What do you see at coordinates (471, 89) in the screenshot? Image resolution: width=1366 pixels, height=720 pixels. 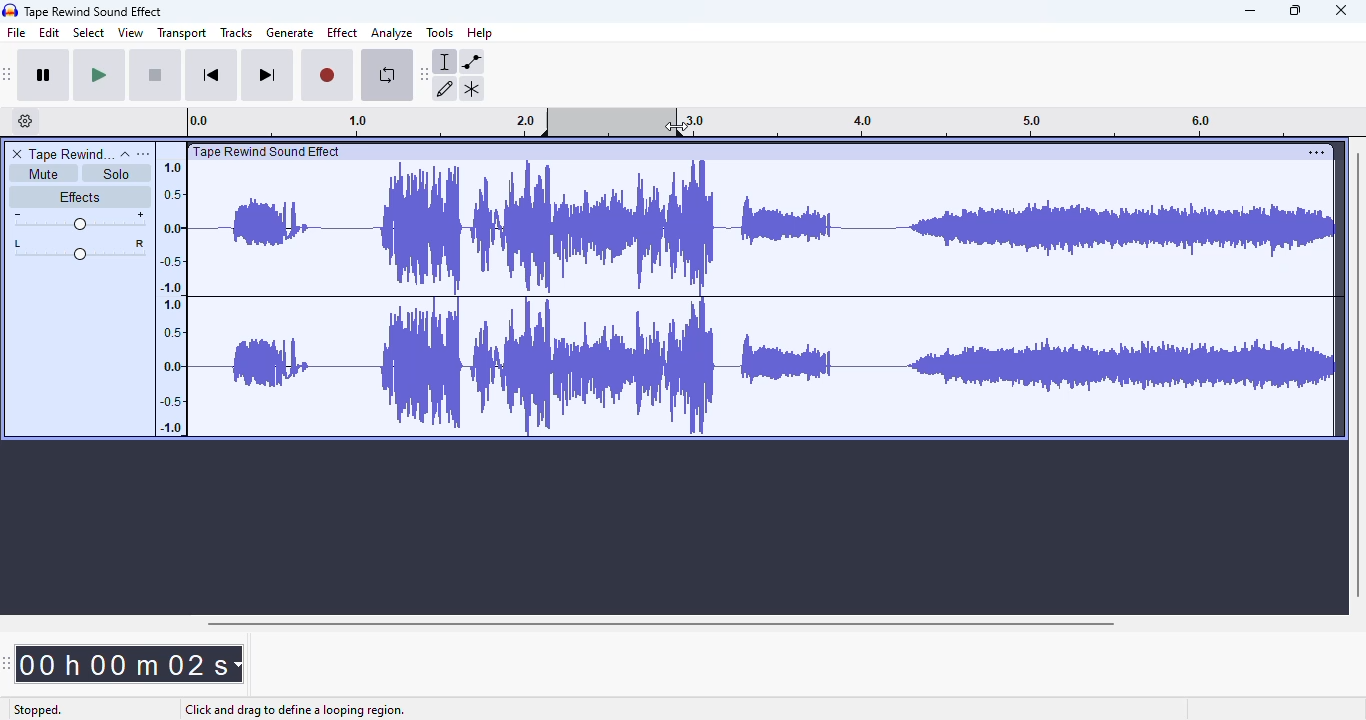 I see `multi-tool` at bounding box center [471, 89].